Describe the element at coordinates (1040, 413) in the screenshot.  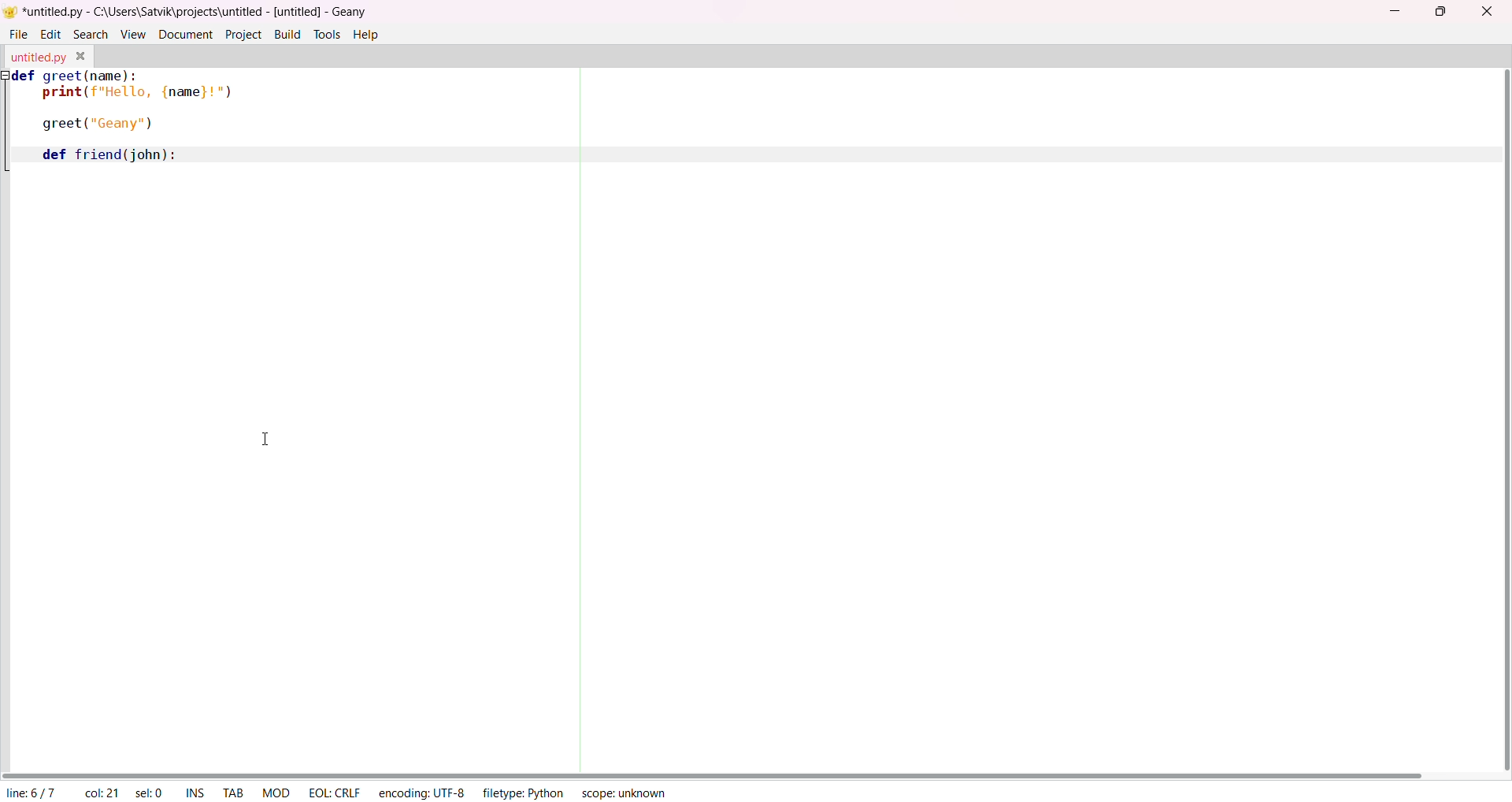
I see `Input text area` at that location.